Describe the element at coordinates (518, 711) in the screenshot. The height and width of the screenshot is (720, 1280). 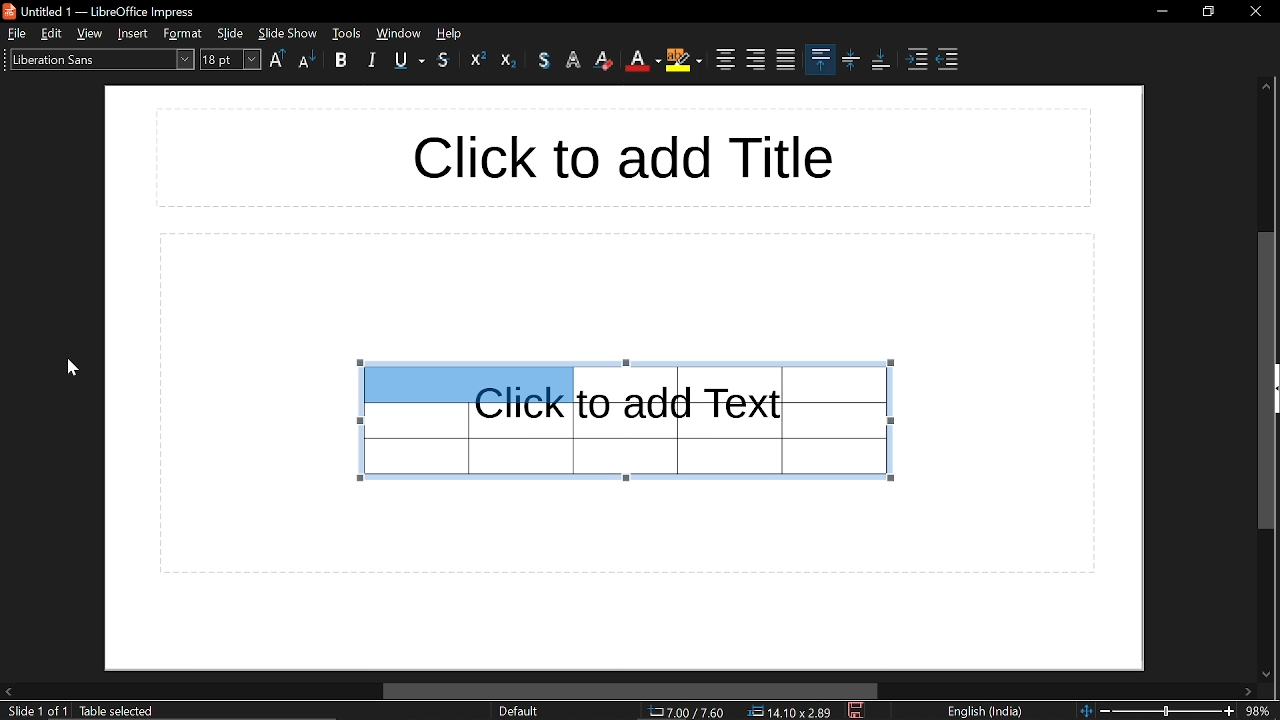
I see `slide format` at that location.